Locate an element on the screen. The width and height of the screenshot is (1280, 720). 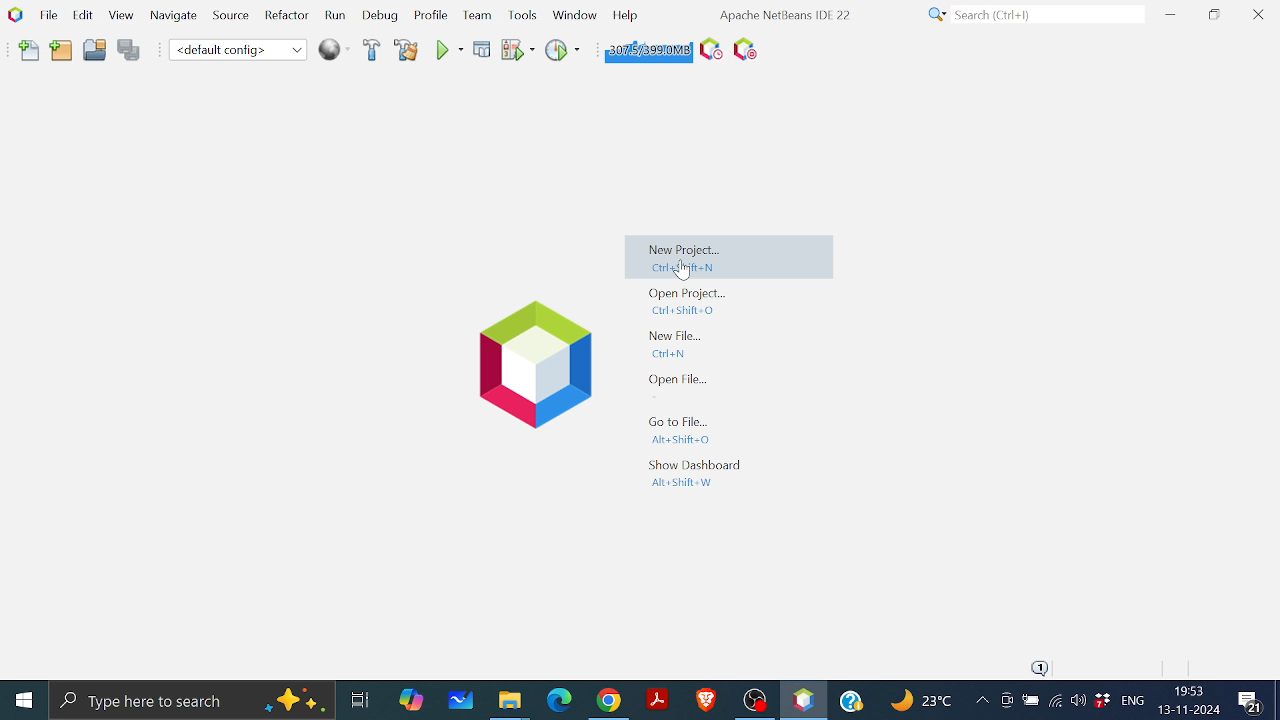
Build project is located at coordinates (370, 51).